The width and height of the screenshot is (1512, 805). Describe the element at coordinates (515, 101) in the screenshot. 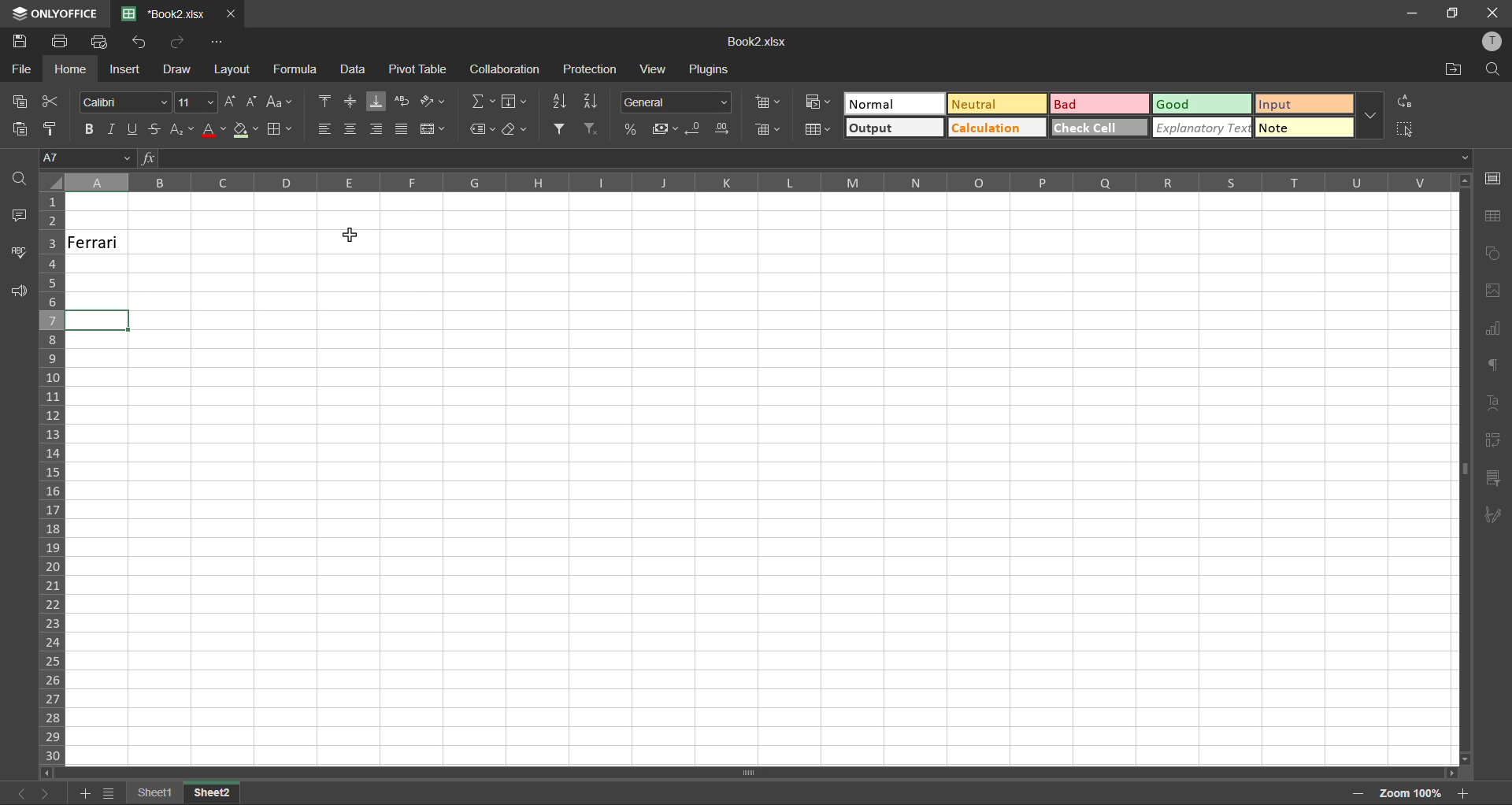

I see `fields` at that location.